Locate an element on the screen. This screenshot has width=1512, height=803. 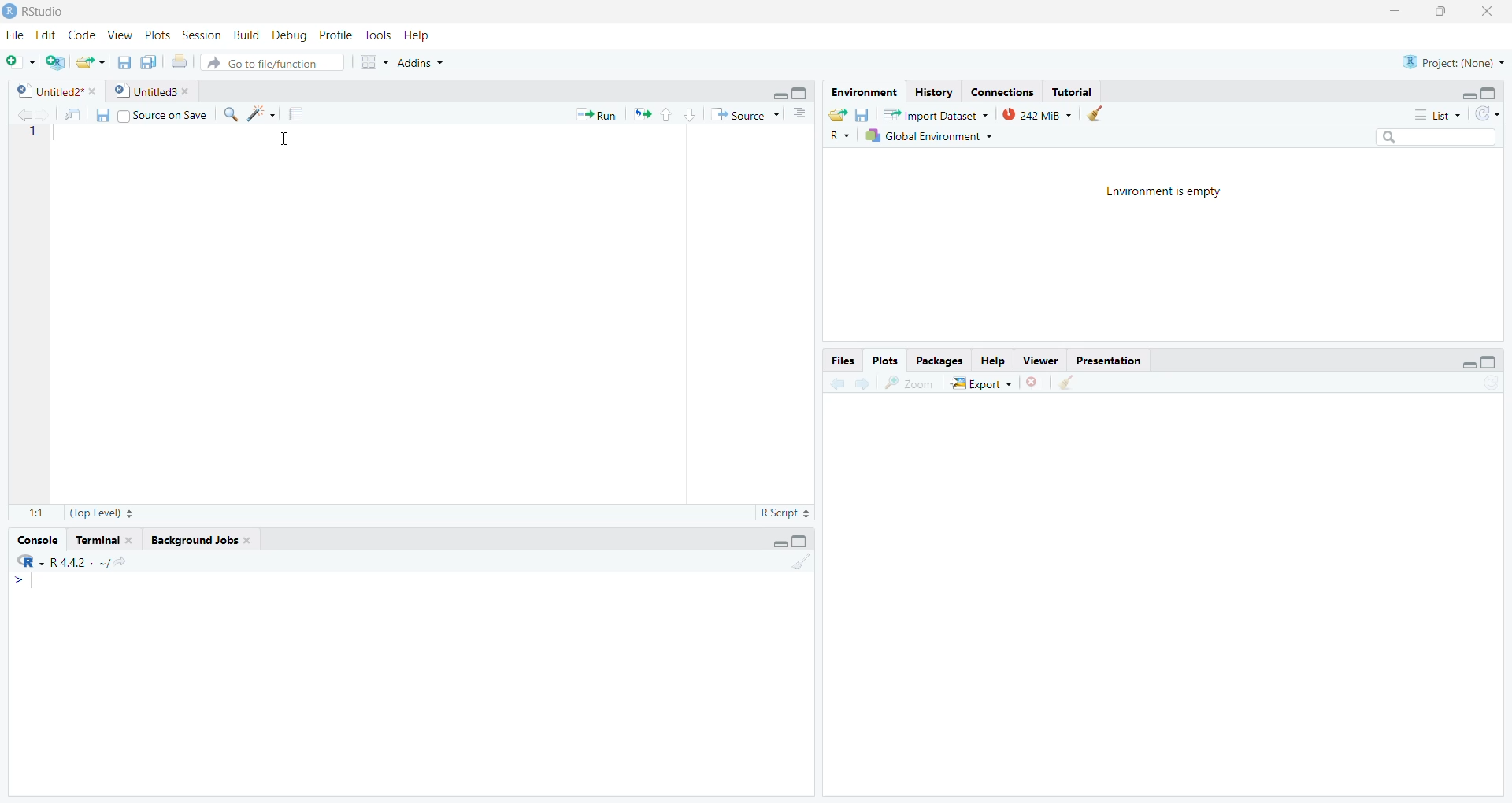
R Script  is located at coordinates (784, 513).